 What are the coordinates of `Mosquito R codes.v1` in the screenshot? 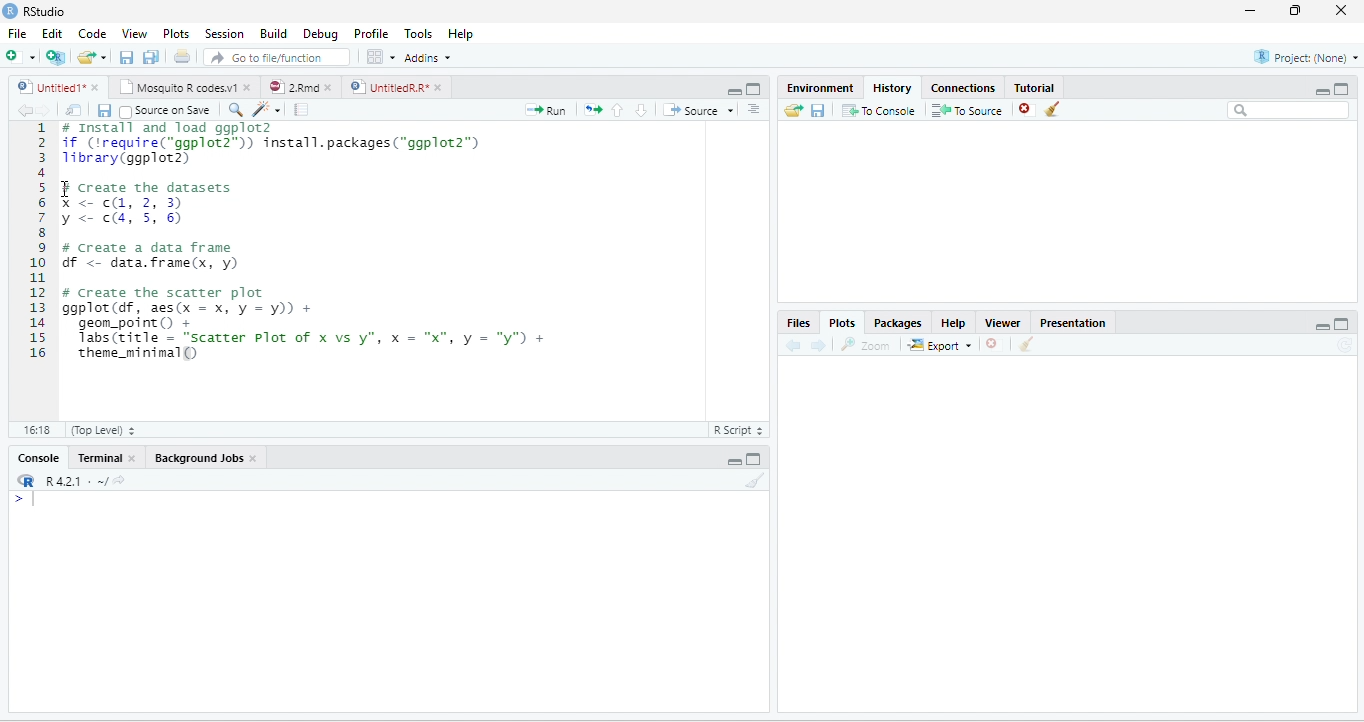 It's located at (176, 87).